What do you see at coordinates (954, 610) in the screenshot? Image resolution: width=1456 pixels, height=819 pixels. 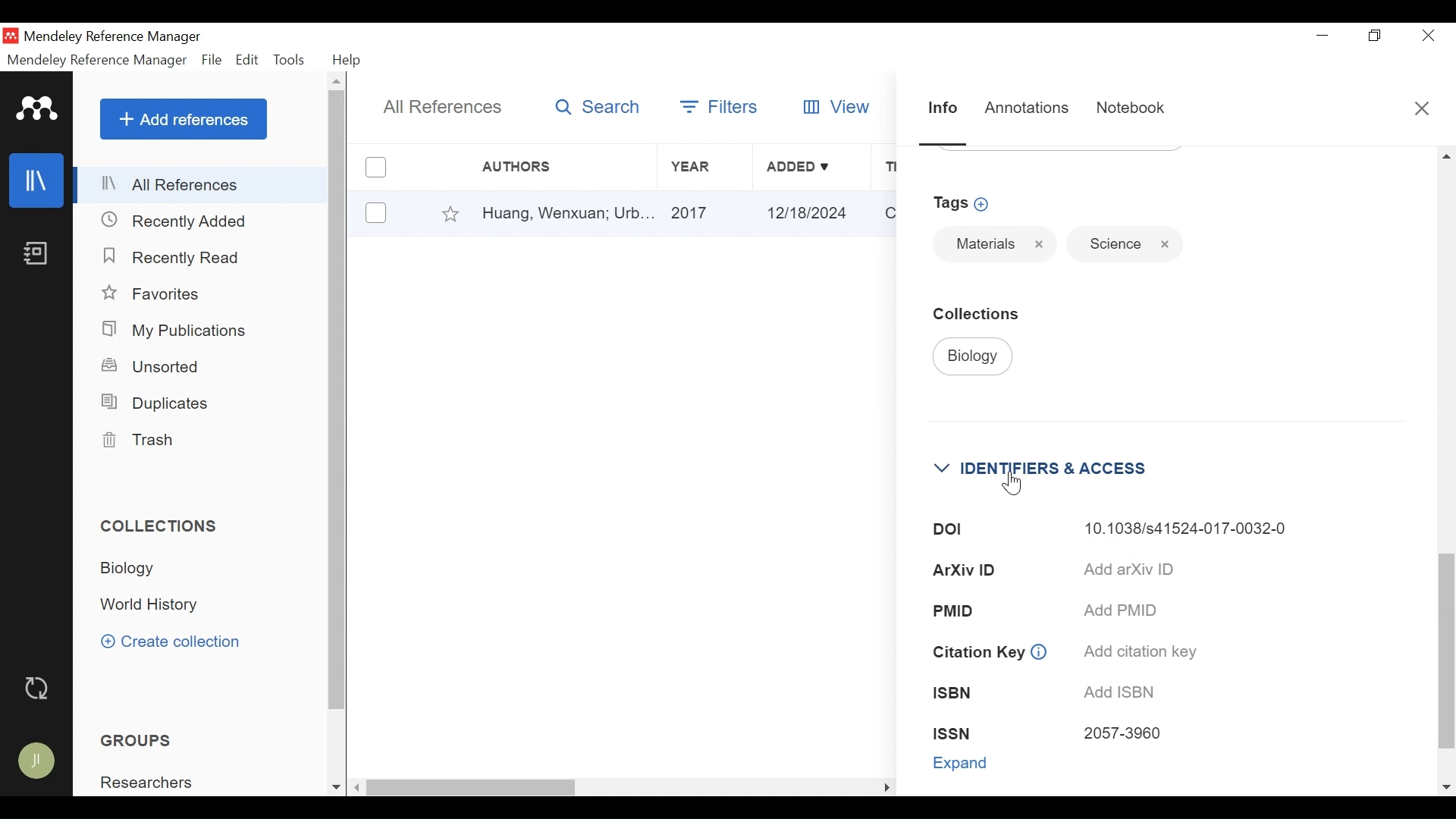 I see `PMID` at bounding box center [954, 610].